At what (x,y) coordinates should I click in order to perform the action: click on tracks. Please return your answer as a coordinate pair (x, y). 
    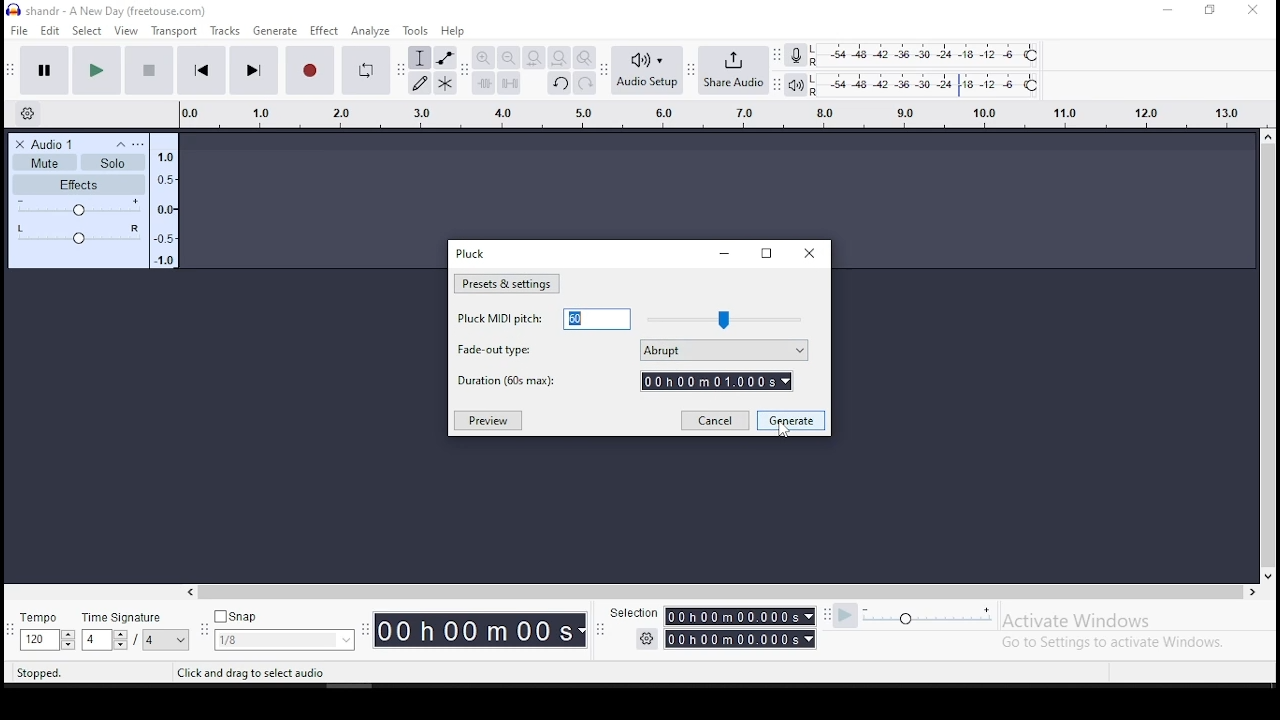
    Looking at the image, I should click on (224, 31).